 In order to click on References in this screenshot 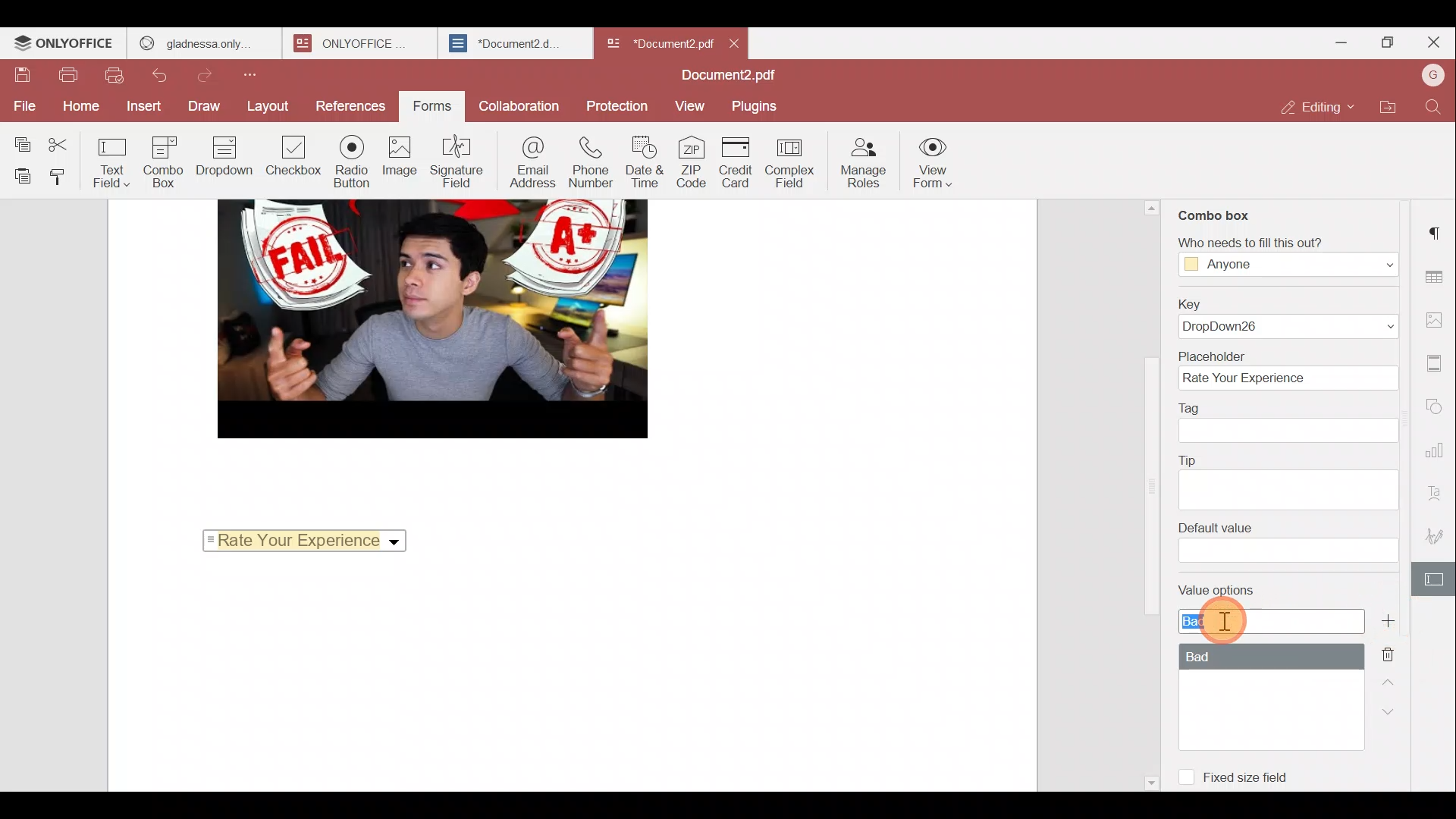, I will do `click(347, 104)`.